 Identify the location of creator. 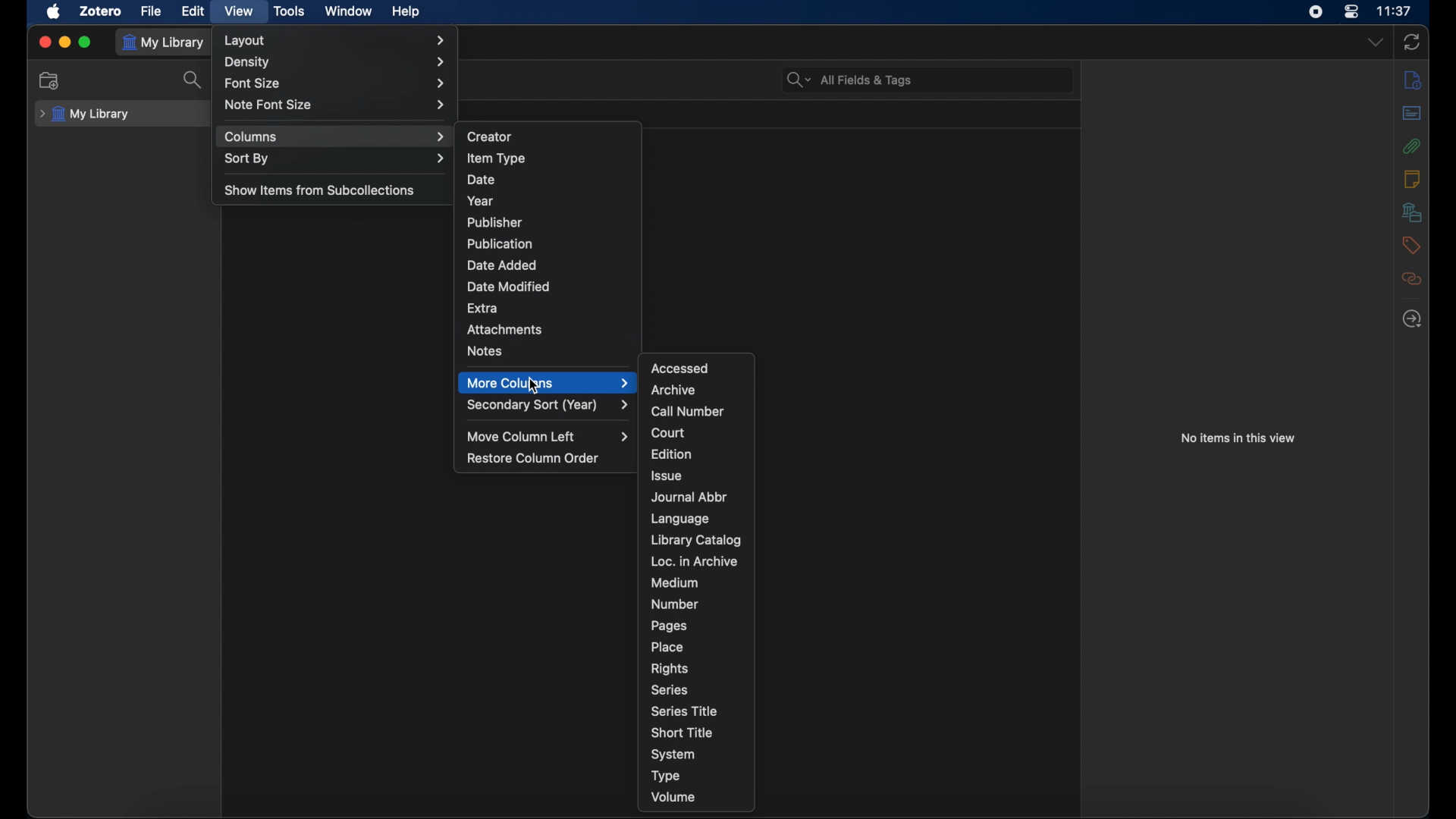
(491, 135).